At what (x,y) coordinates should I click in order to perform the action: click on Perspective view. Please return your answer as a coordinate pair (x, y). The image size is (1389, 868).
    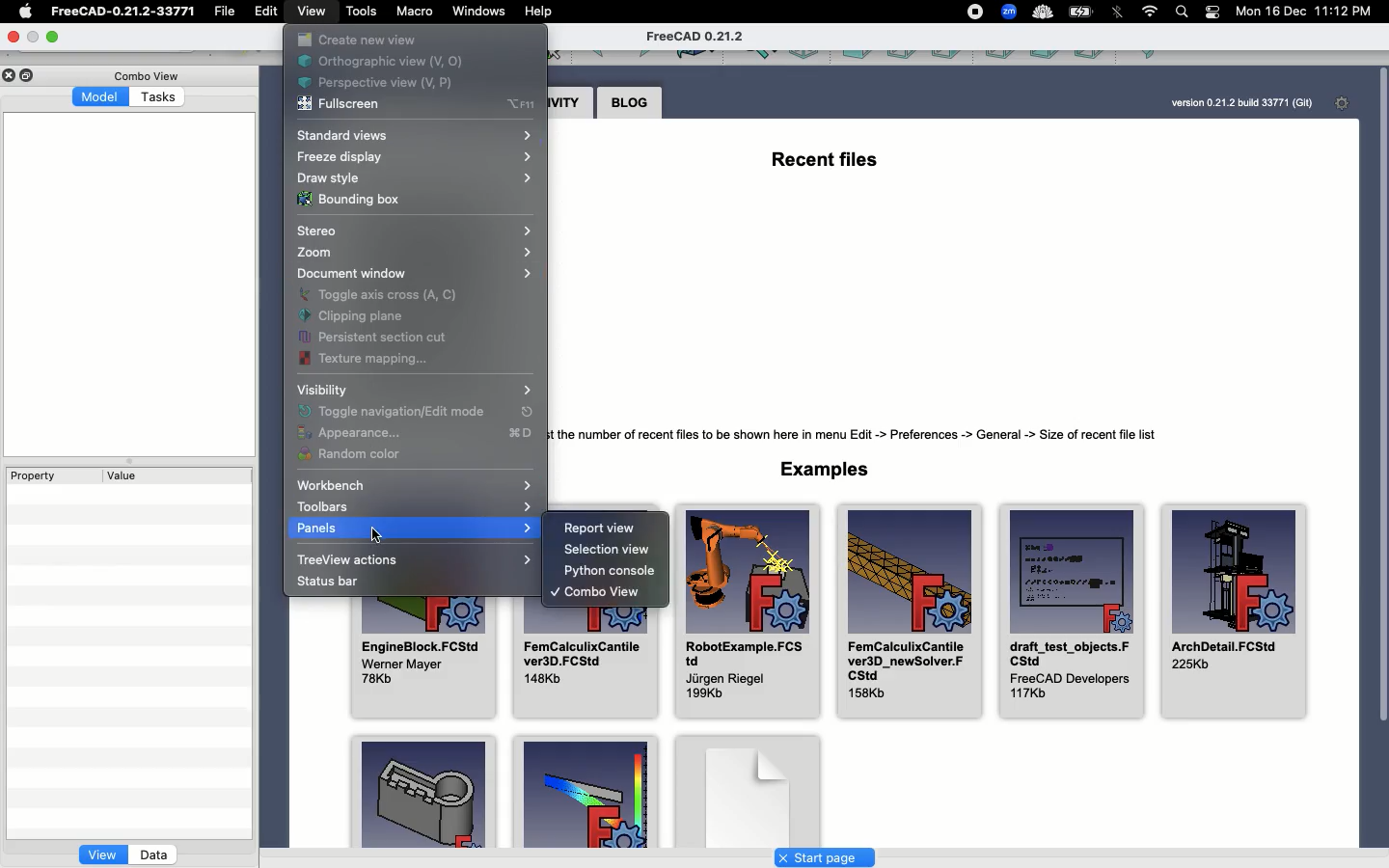
    Looking at the image, I should click on (380, 82).